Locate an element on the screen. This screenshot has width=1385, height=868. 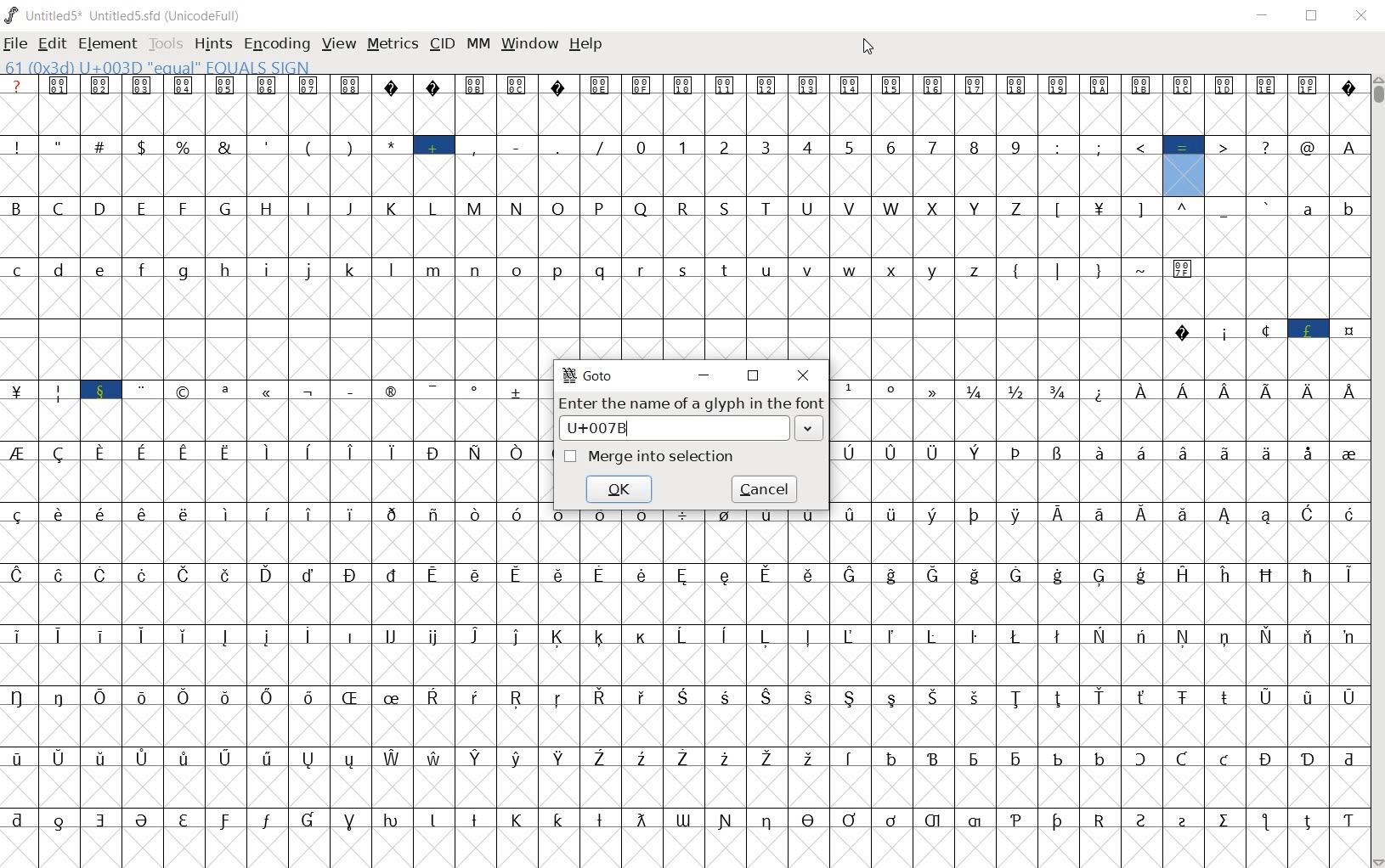
U +708 is located at coordinates (697, 429).